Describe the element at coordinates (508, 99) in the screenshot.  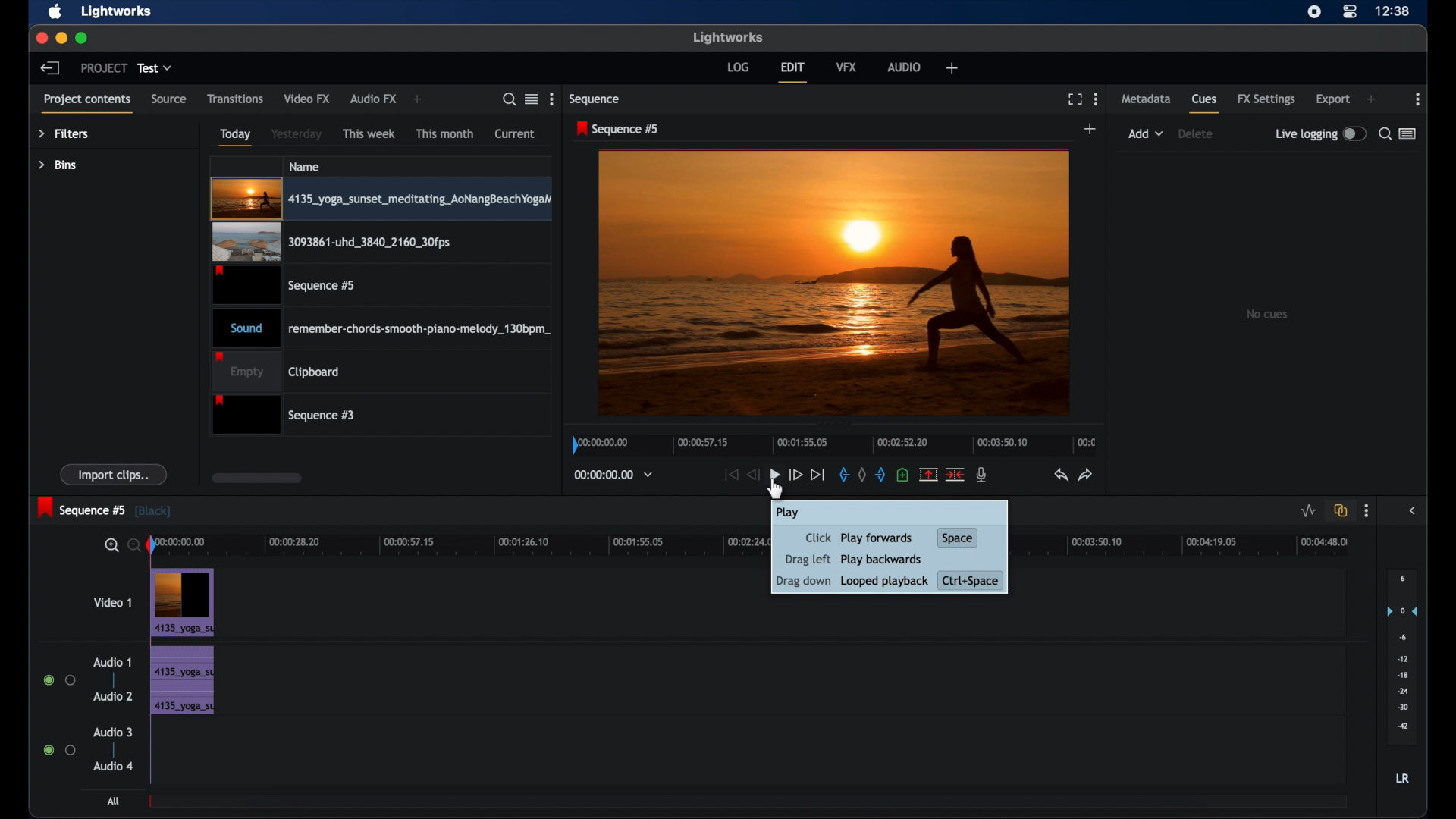
I see `search` at that location.